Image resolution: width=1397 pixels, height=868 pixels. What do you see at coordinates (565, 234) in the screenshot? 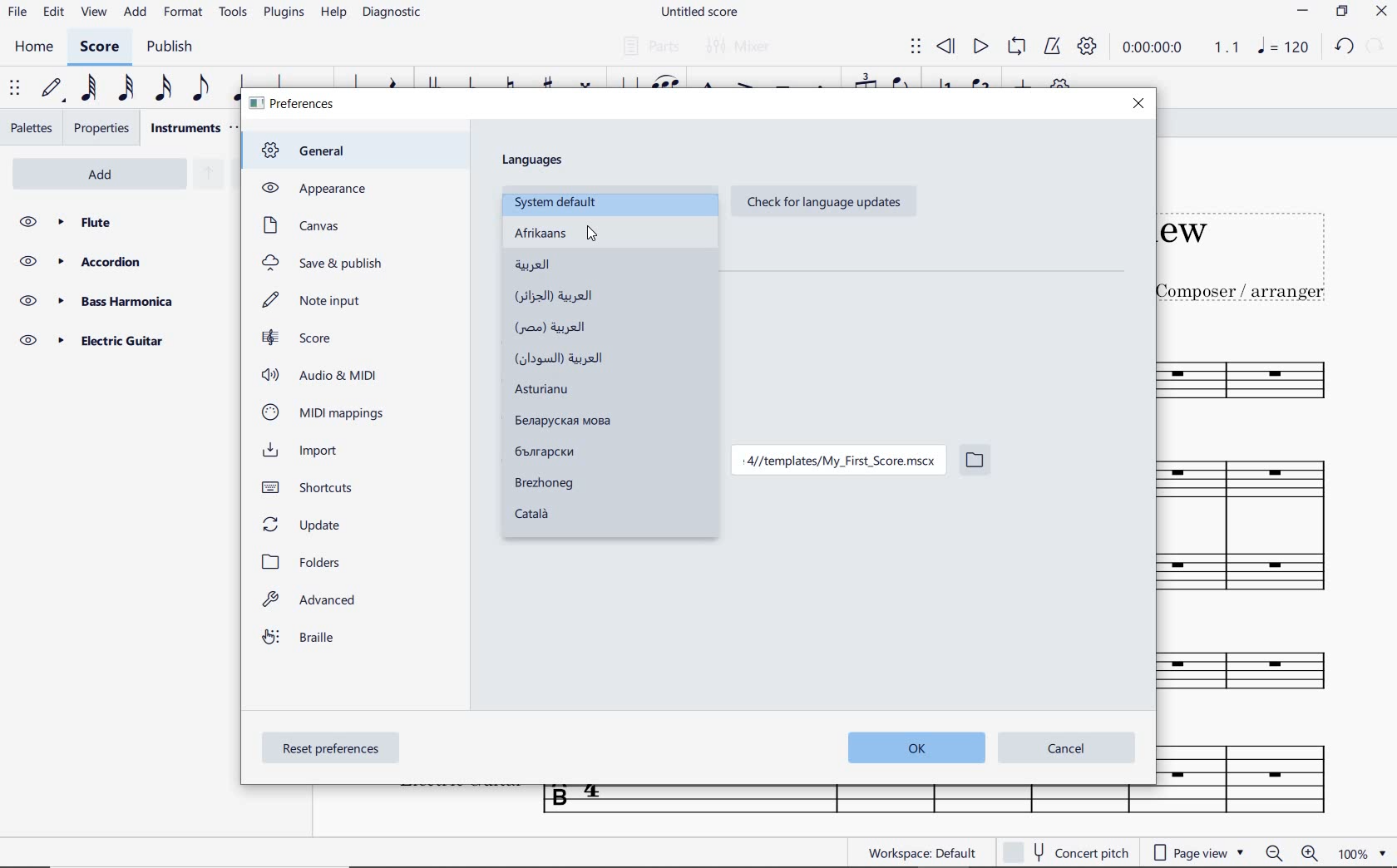
I see `afrikaans` at bounding box center [565, 234].